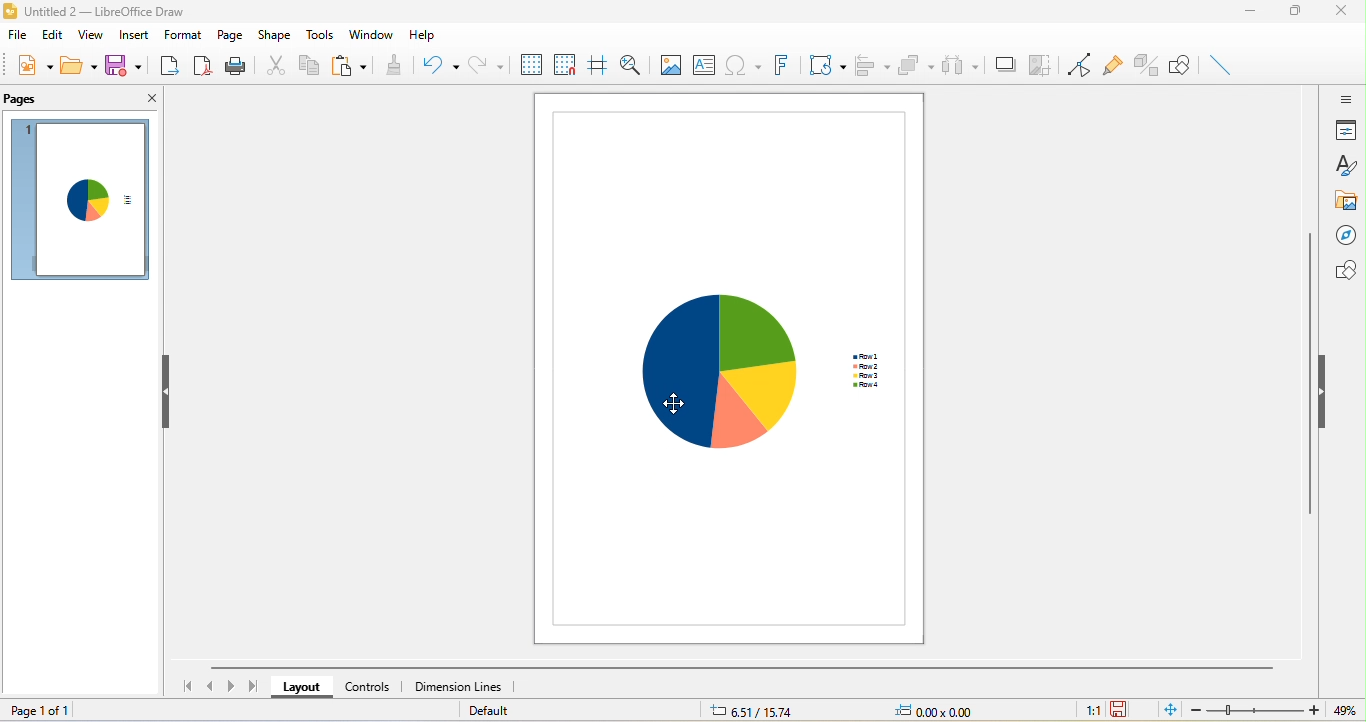 Image resolution: width=1366 pixels, height=722 pixels. What do you see at coordinates (485, 63) in the screenshot?
I see `redo` at bounding box center [485, 63].